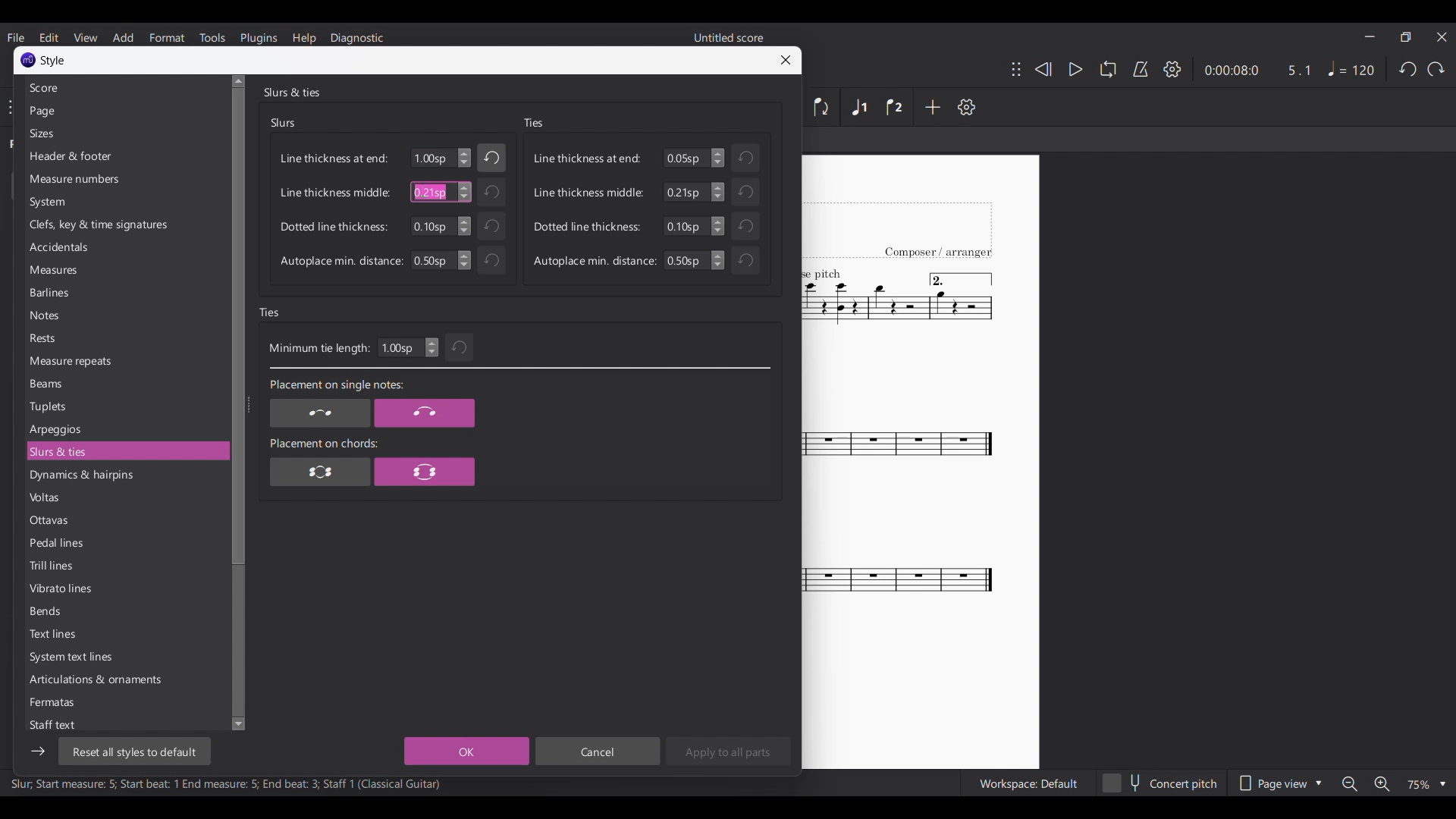 This screenshot has height=819, width=1456. What do you see at coordinates (125, 337) in the screenshot?
I see `Rests` at bounding box center [125, 337].